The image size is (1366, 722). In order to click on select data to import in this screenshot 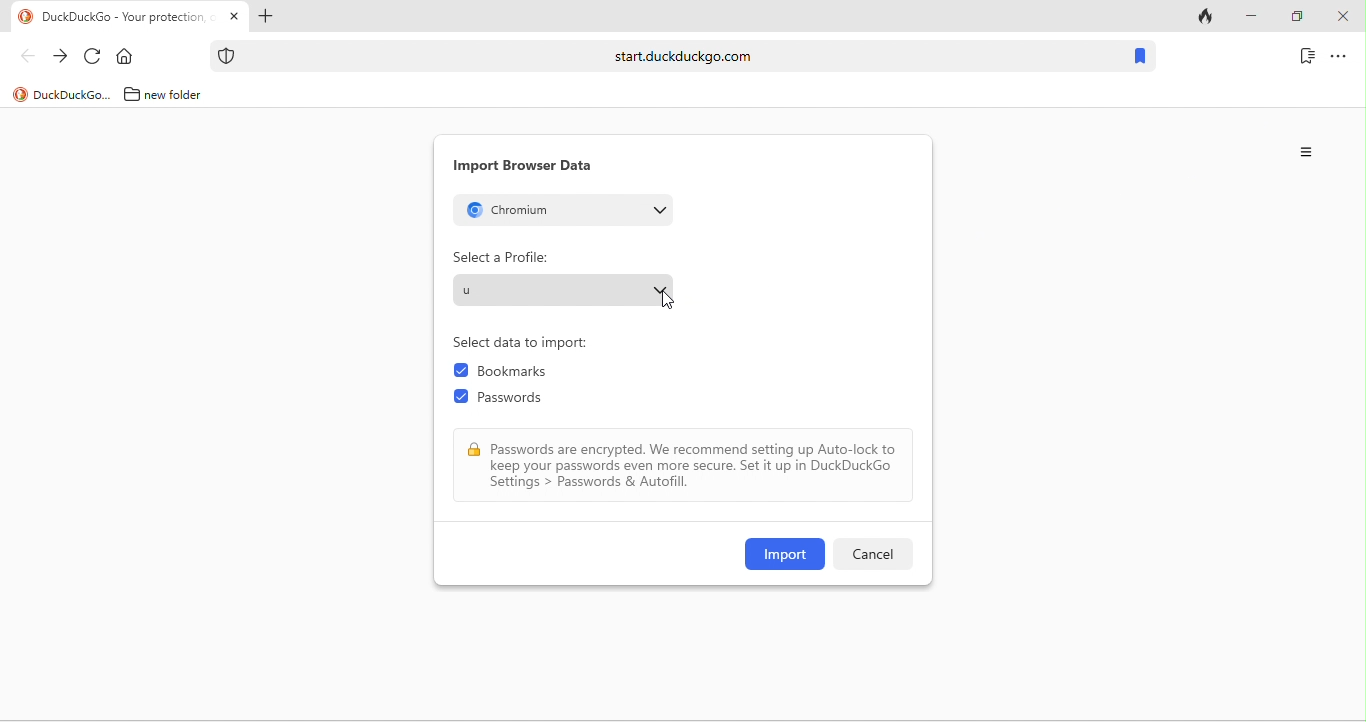, I will do `click(528, 343)`.